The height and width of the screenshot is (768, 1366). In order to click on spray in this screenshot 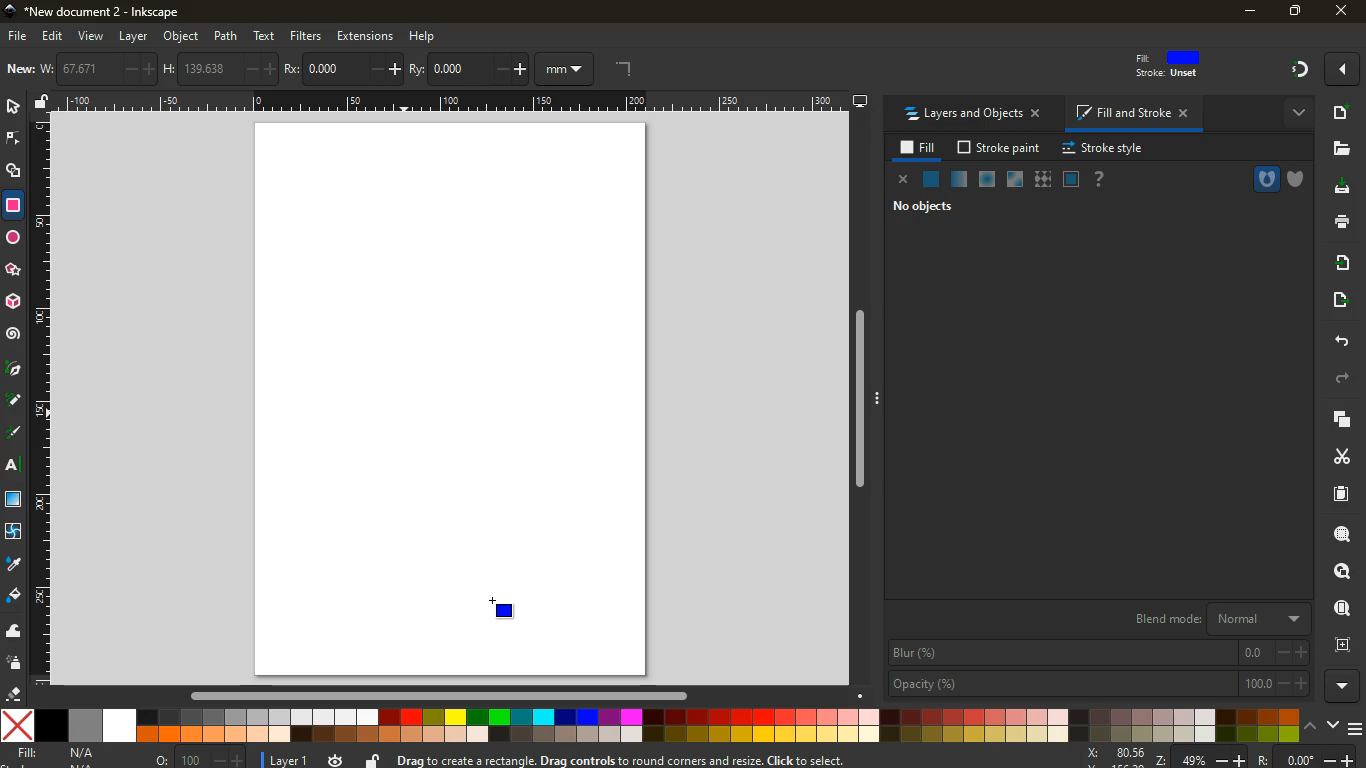, I will do `click(15, 663)`.